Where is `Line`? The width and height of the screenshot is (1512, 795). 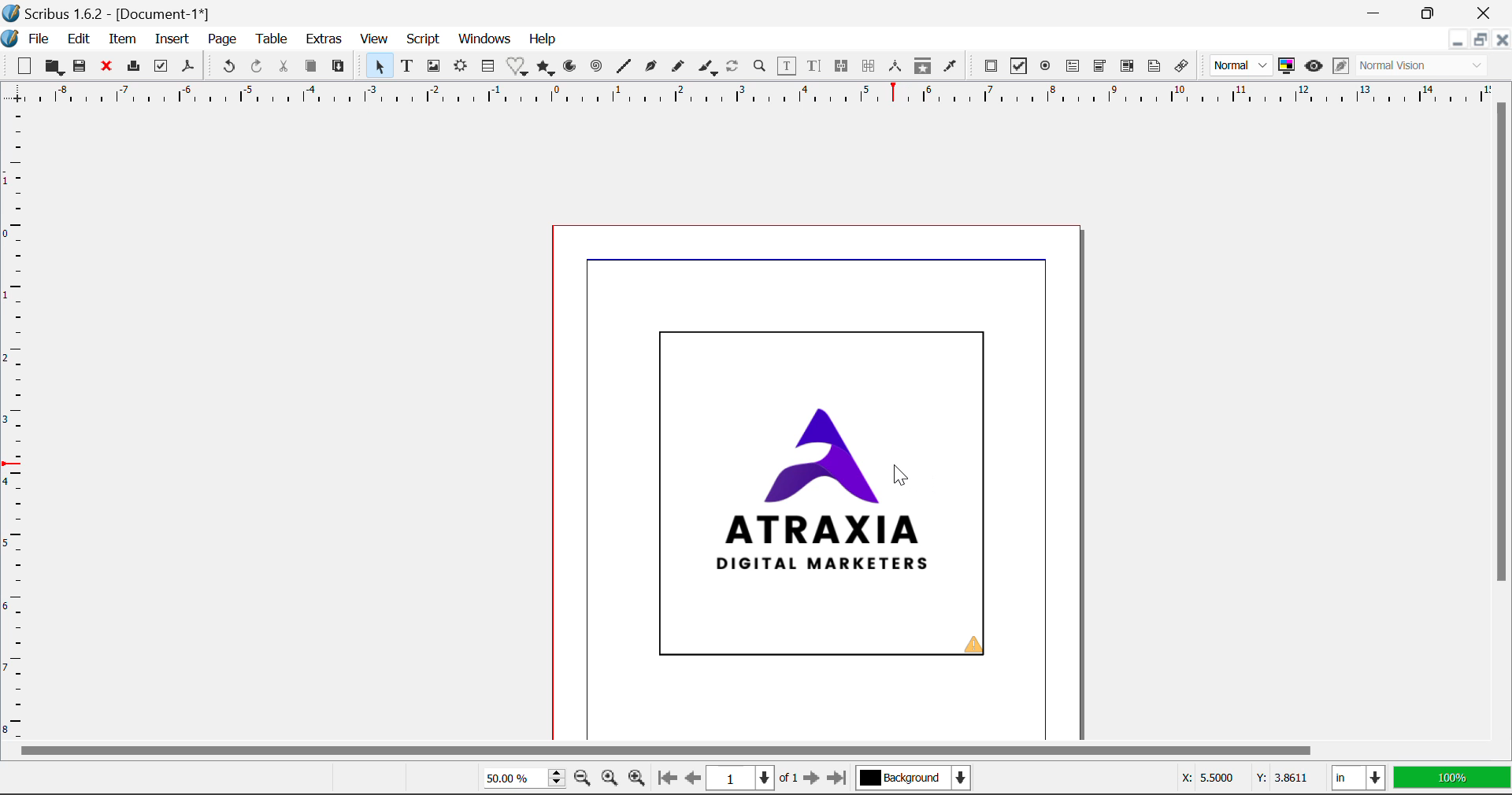 Line is located at coordinates (625, 68).